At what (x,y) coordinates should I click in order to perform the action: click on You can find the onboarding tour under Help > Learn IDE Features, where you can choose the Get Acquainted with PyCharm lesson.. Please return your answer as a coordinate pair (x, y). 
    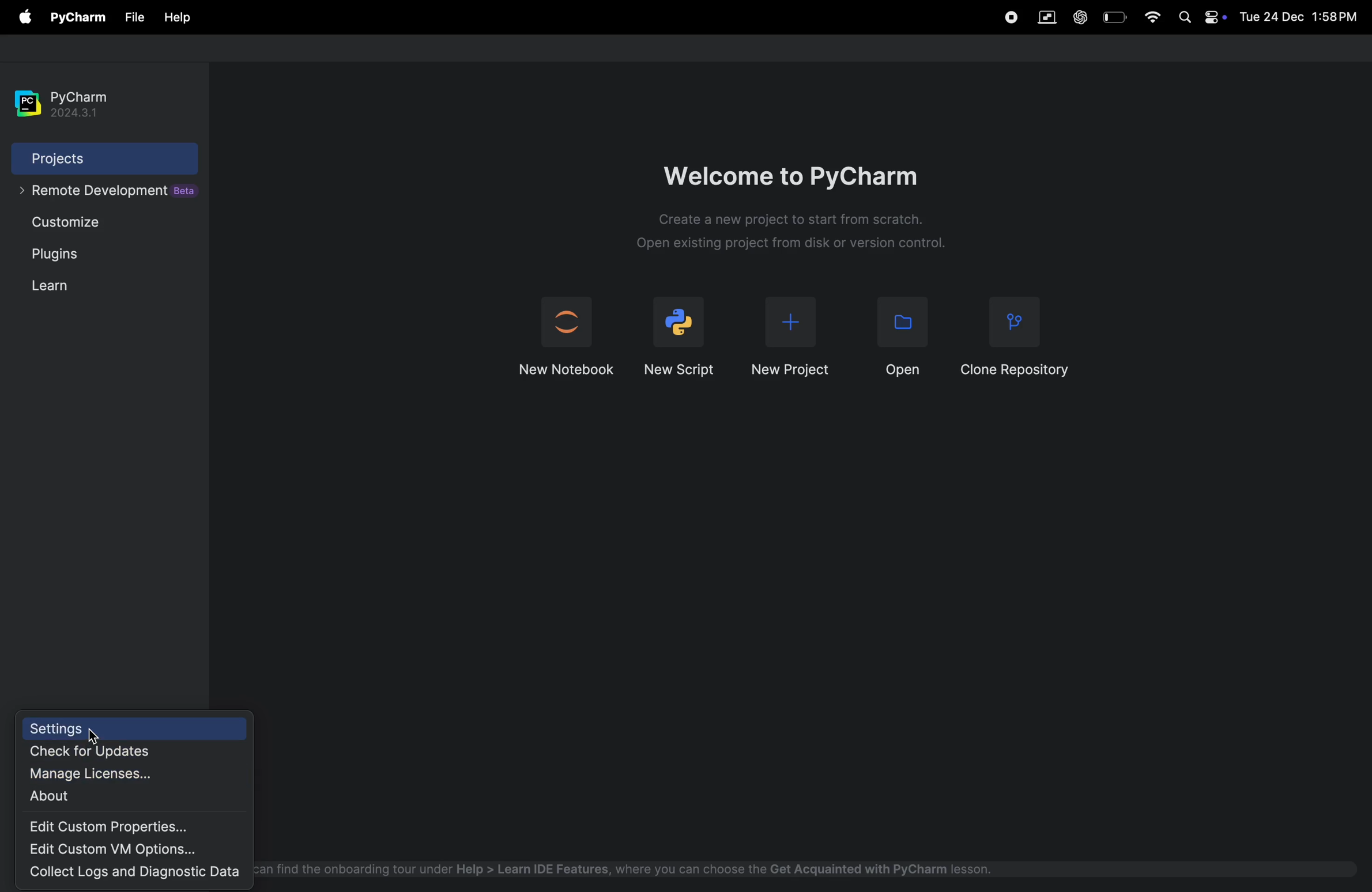
    Looking at the image, I should click on (635, 868).